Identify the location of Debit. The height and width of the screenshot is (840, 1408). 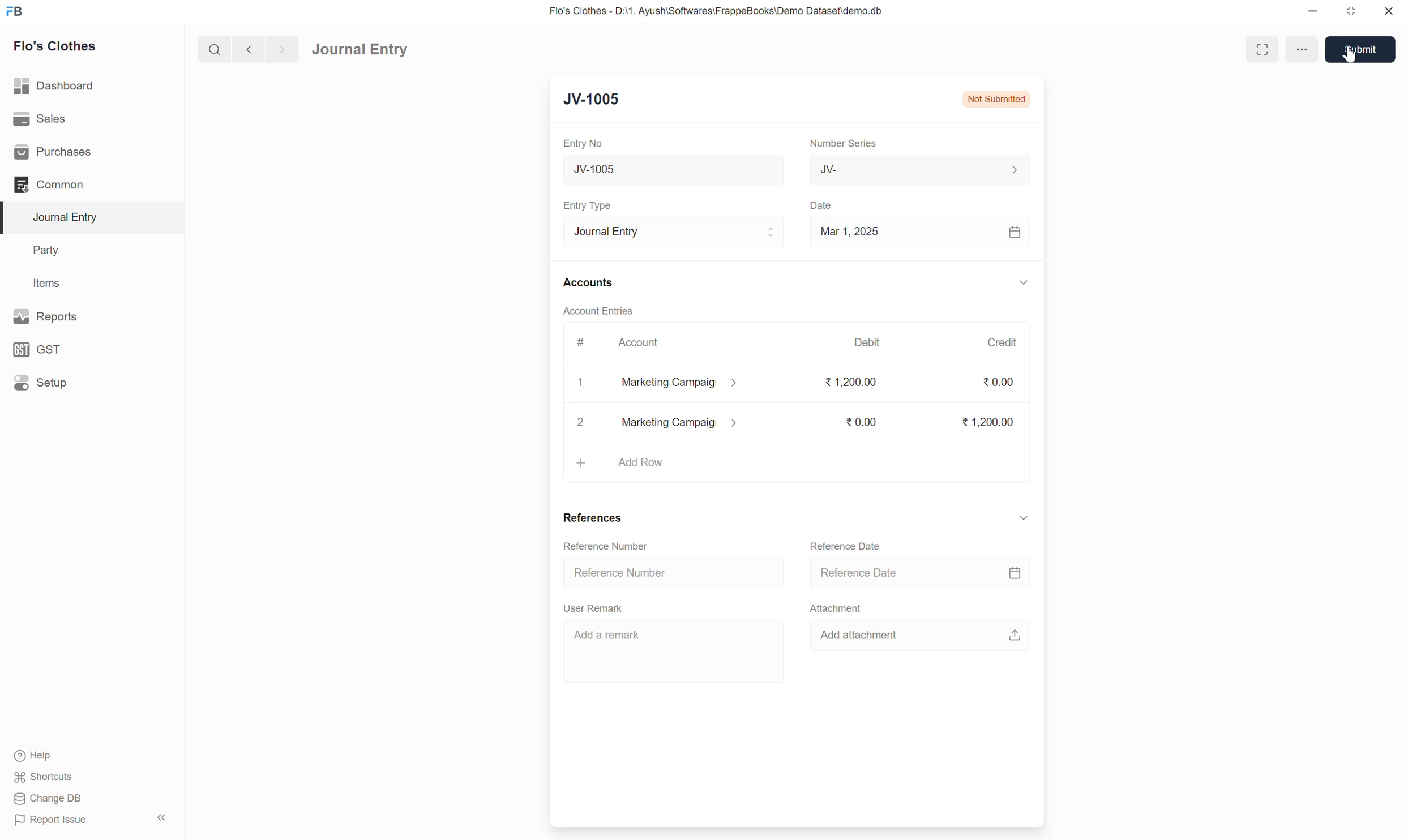
(867, 341).